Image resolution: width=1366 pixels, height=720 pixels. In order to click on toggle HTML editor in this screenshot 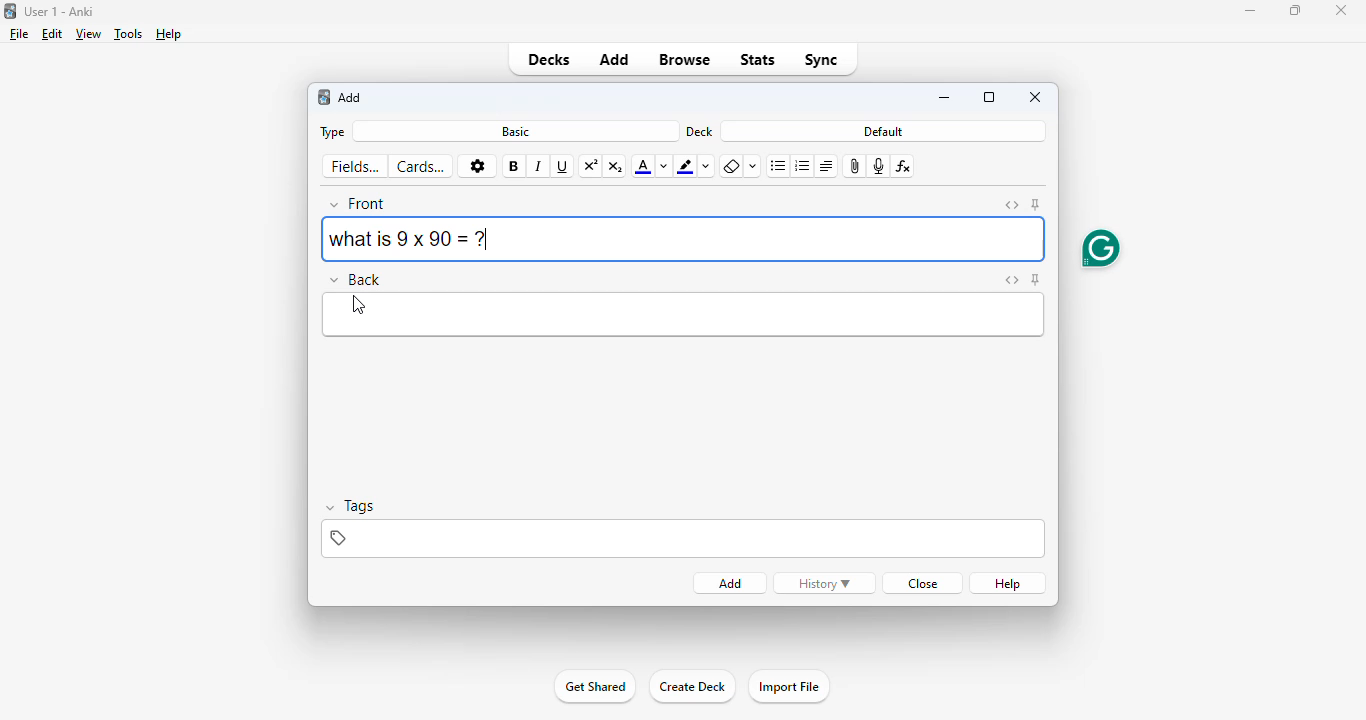, I will do `click(1010, 280)`.